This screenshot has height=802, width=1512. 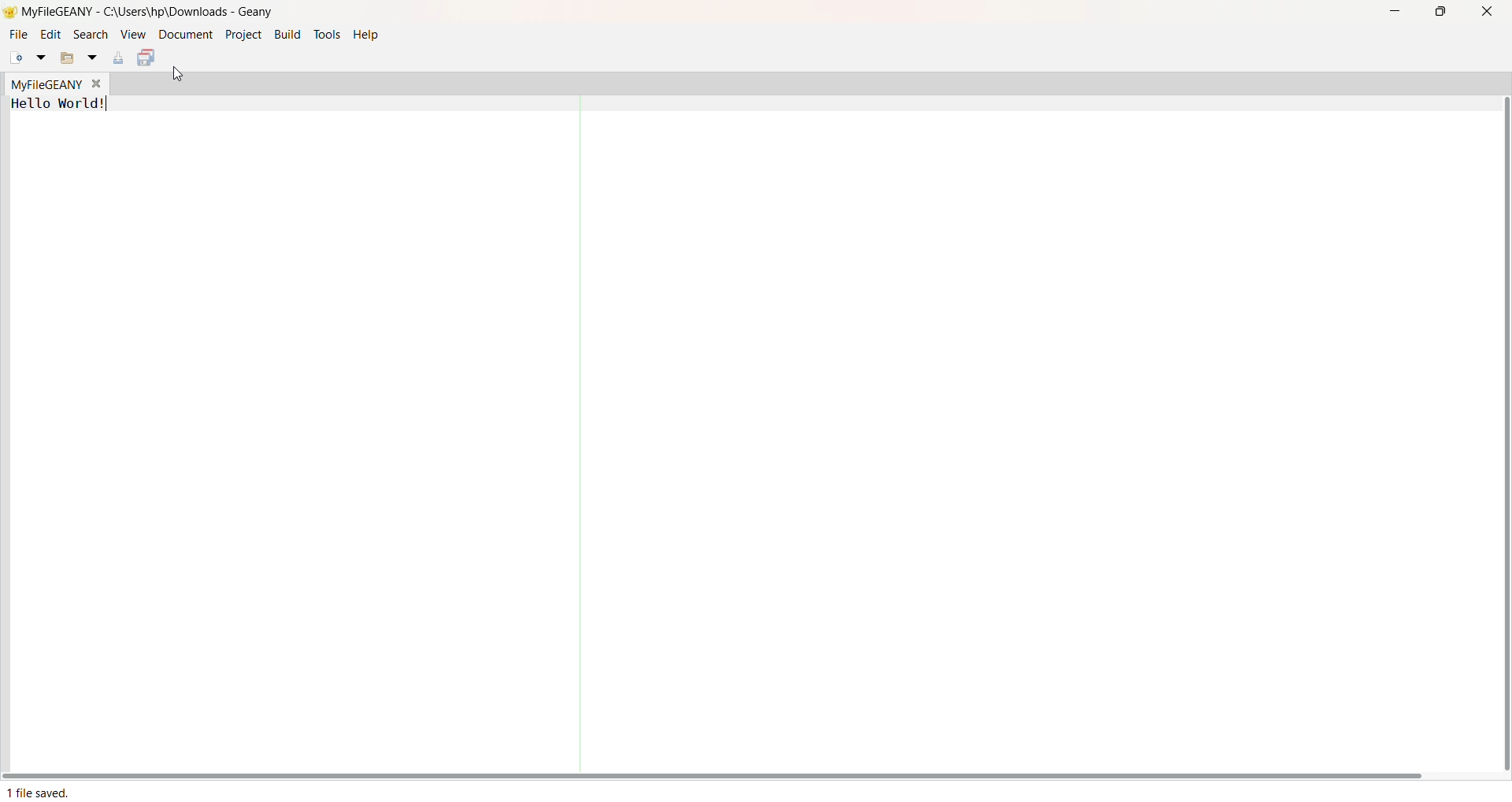 What do you see at coordinates (9, 13) in the screenshot?
I see `Logo` at bounding box center [9, 13].